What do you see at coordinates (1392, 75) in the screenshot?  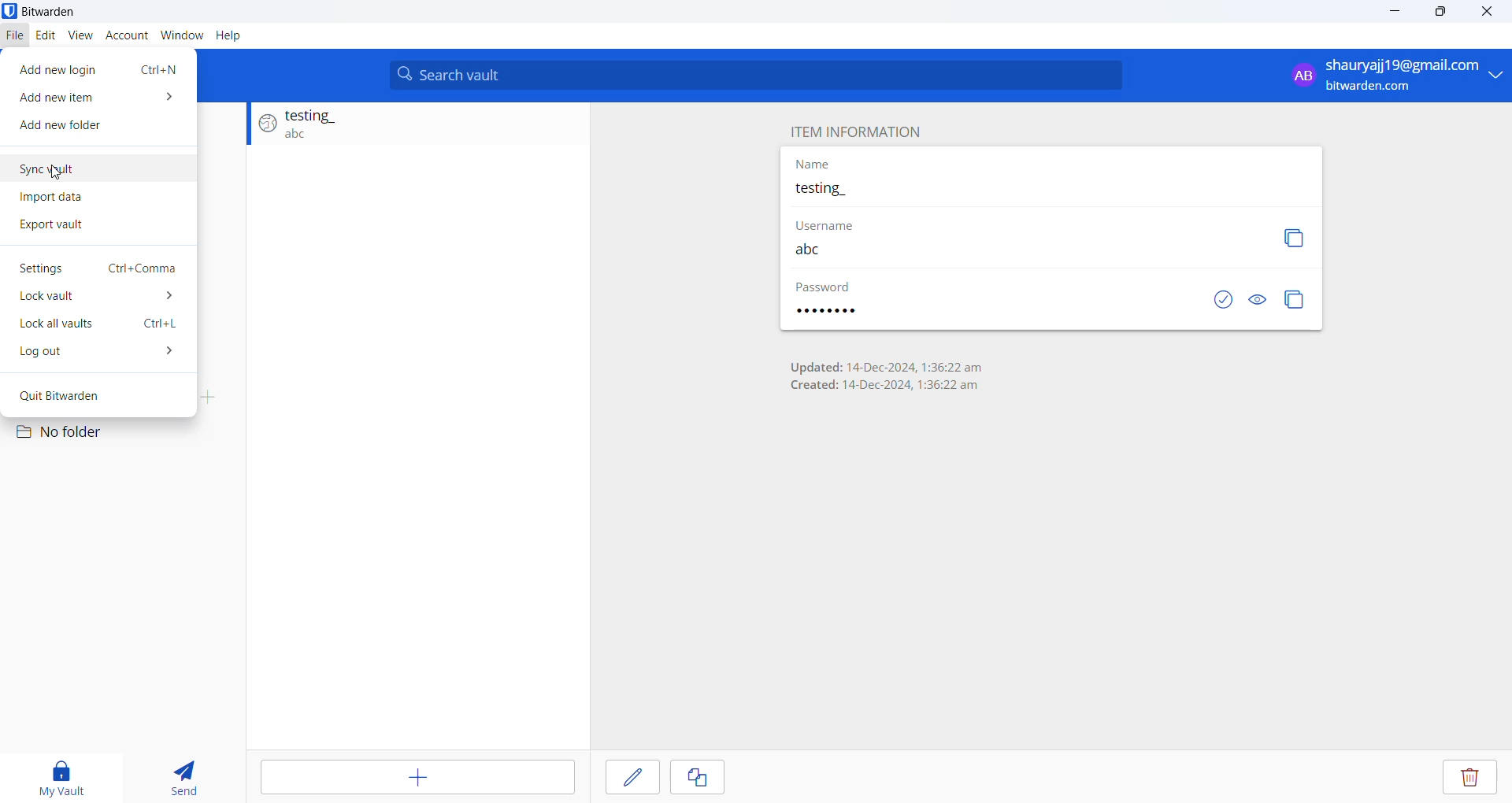 I see `Login and logout options` at bounding box center [1392, 75].